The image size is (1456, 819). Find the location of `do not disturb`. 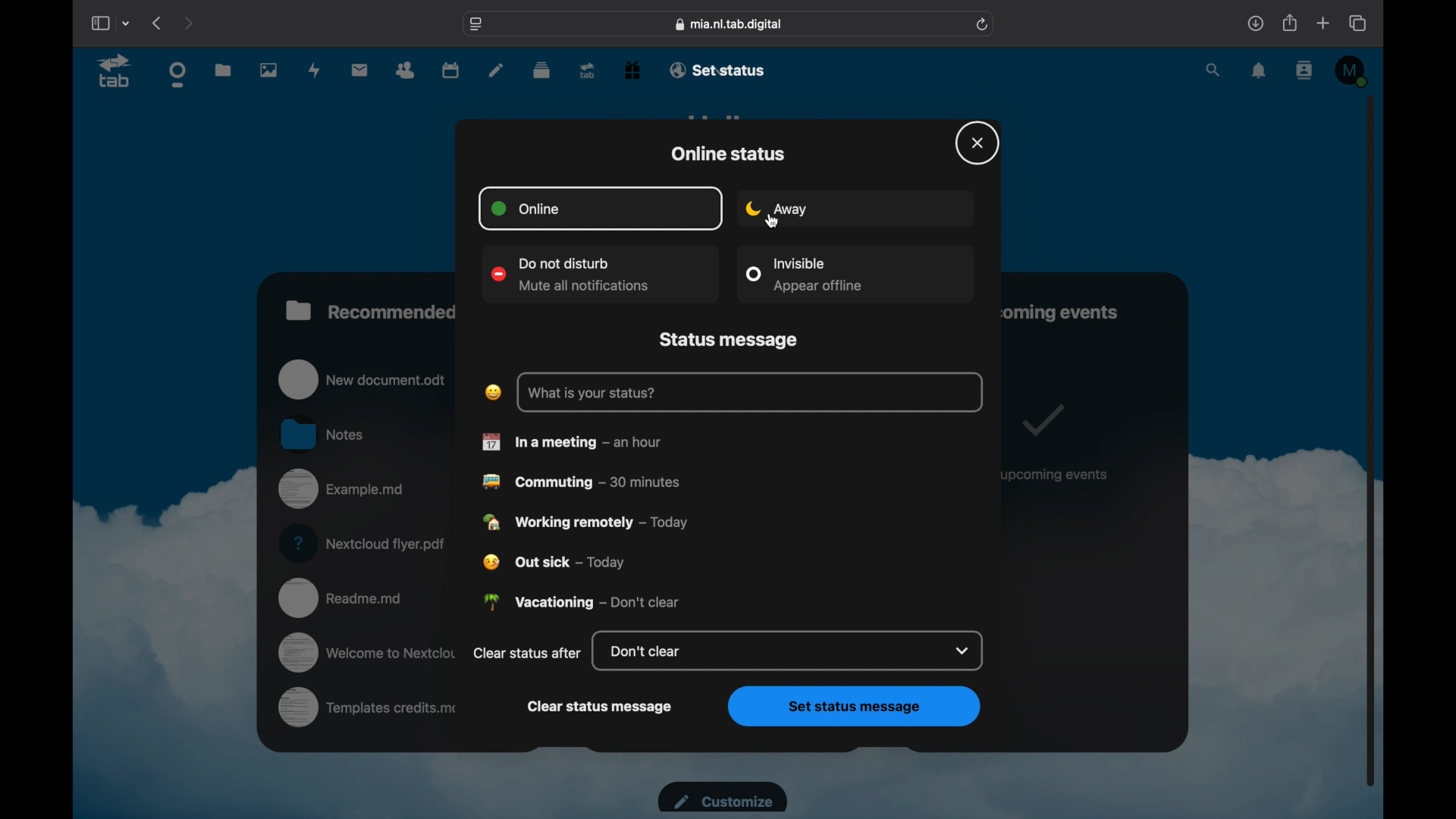

do not disturb is located at coordinates (573, 276).